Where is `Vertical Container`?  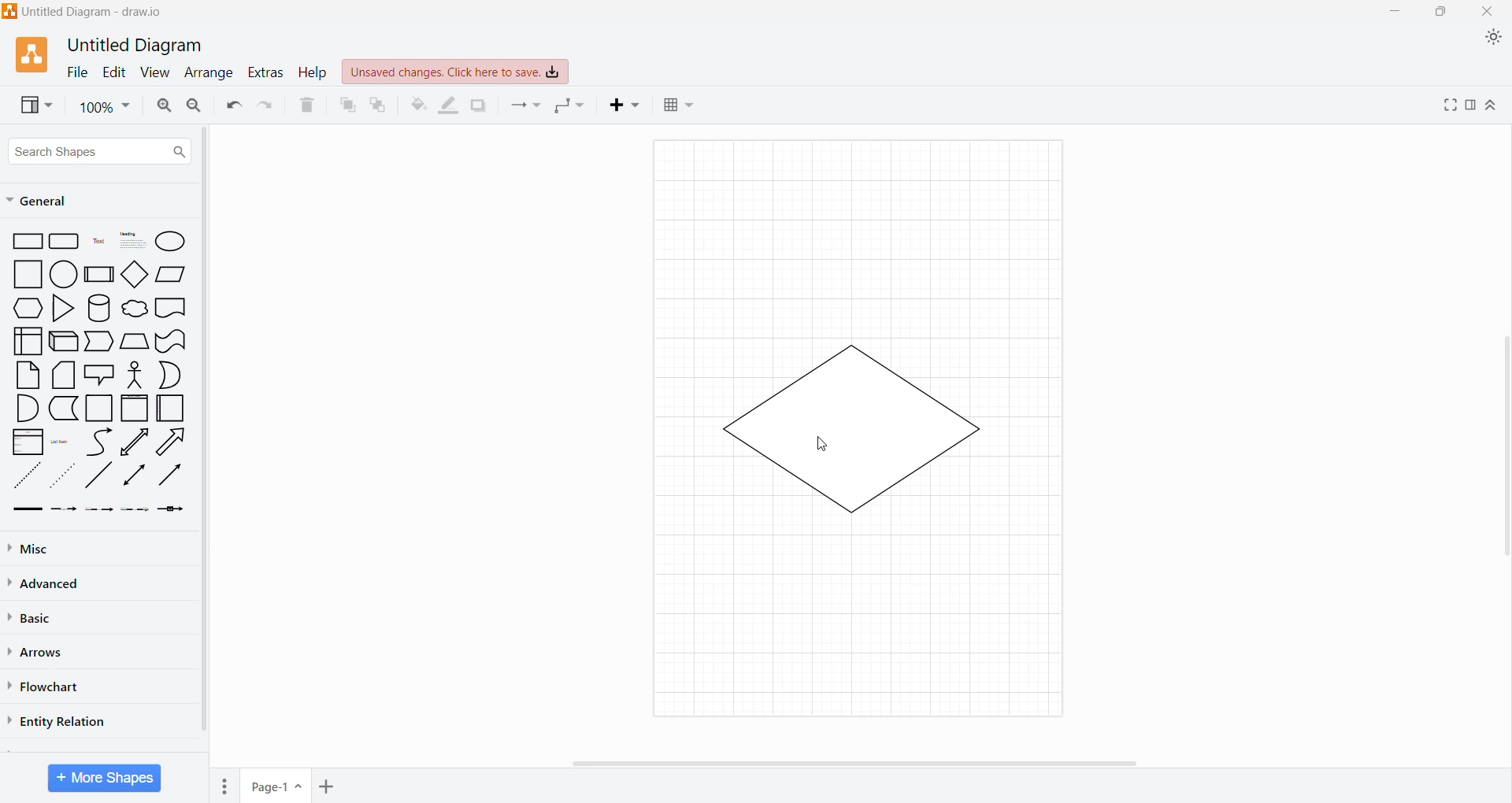 Vertical Container is located at coordinates (134, 409).